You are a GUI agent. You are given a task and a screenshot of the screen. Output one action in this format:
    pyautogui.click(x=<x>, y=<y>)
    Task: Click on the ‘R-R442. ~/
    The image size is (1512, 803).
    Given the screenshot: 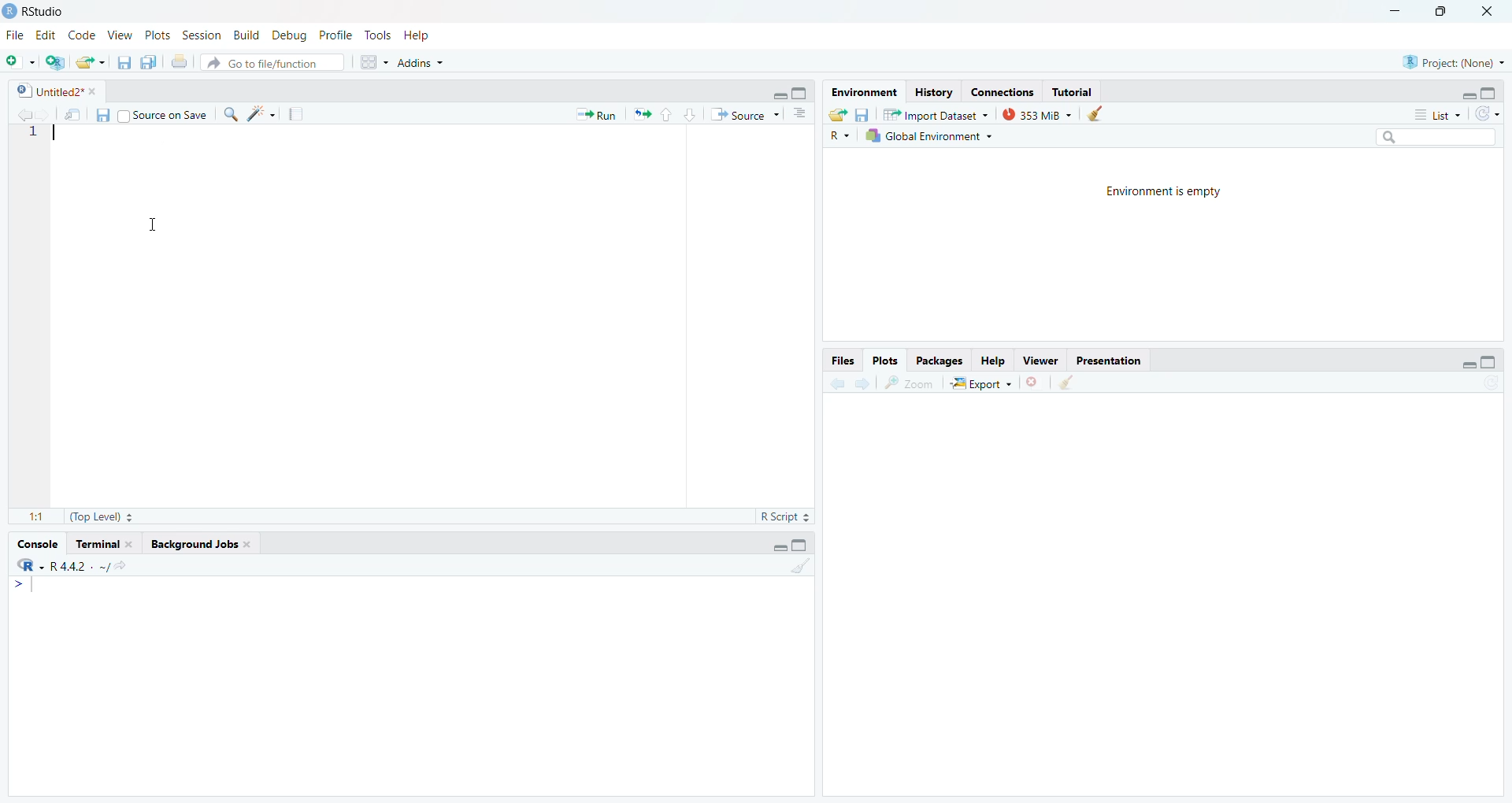 What is the action you would take?
    pyautogui.click(x=76, y=568)
    